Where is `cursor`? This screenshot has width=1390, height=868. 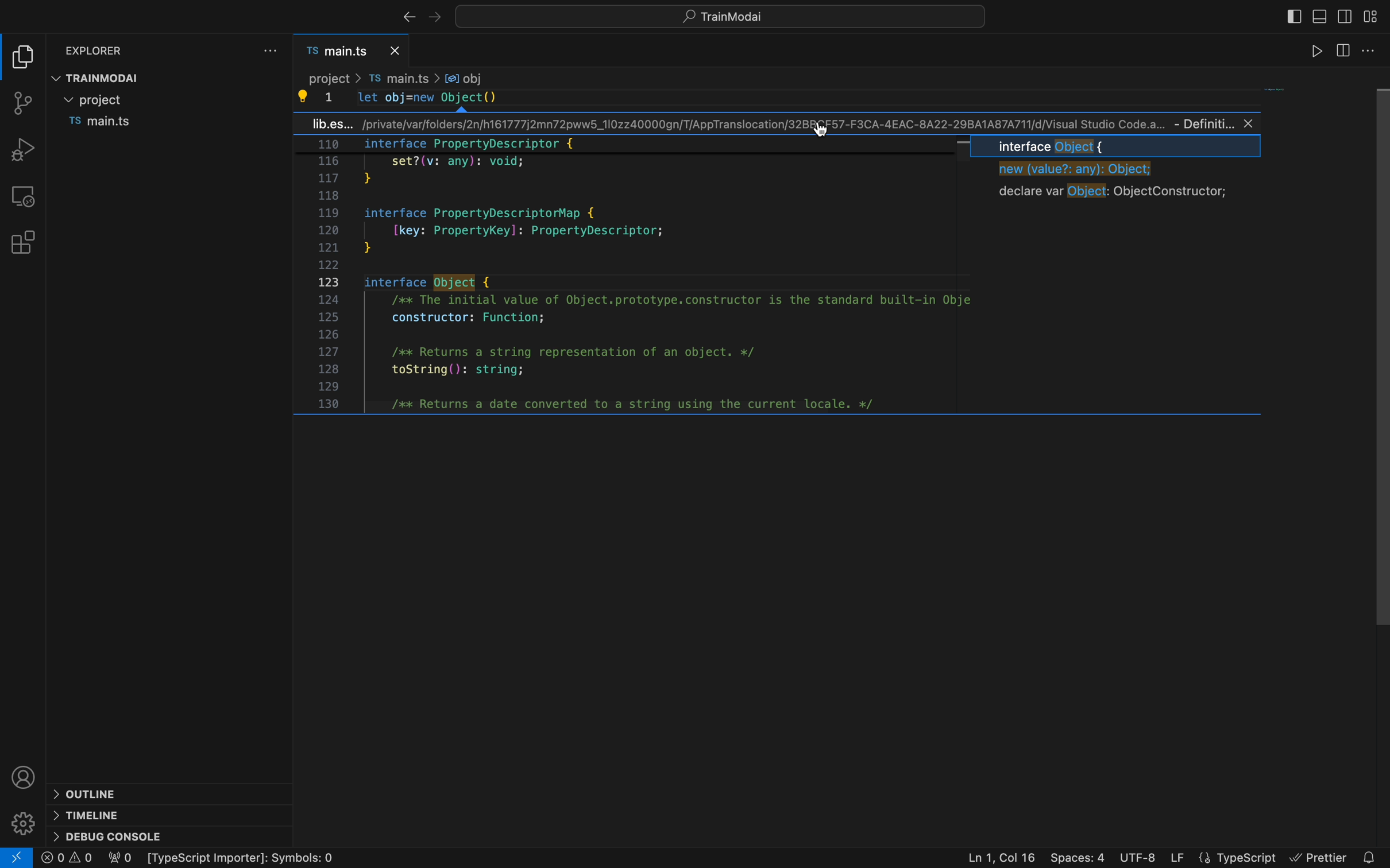 cursor is located at coordinates (827, 132).